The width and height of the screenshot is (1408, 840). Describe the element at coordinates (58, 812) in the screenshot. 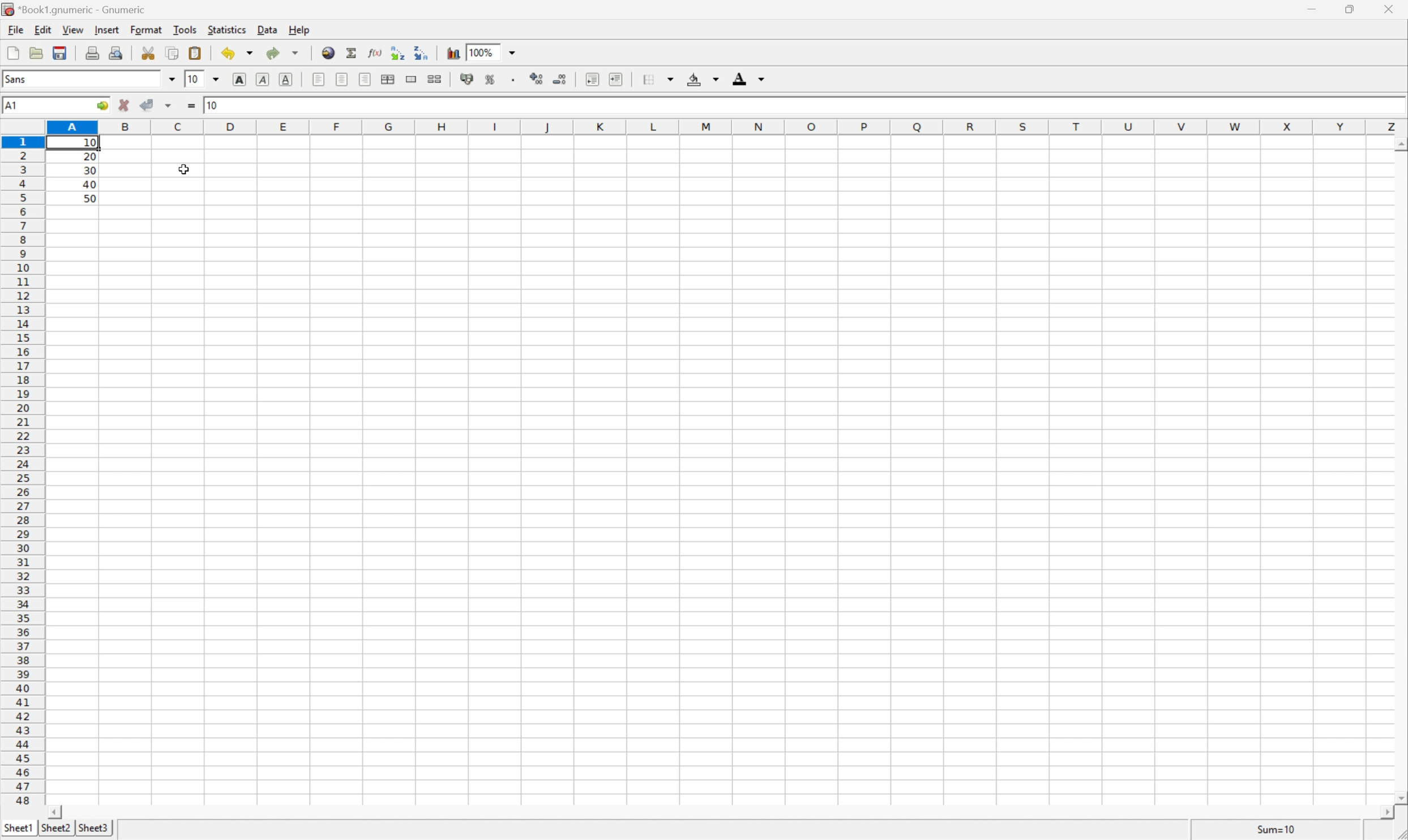

I see `Scroll left` at that location.